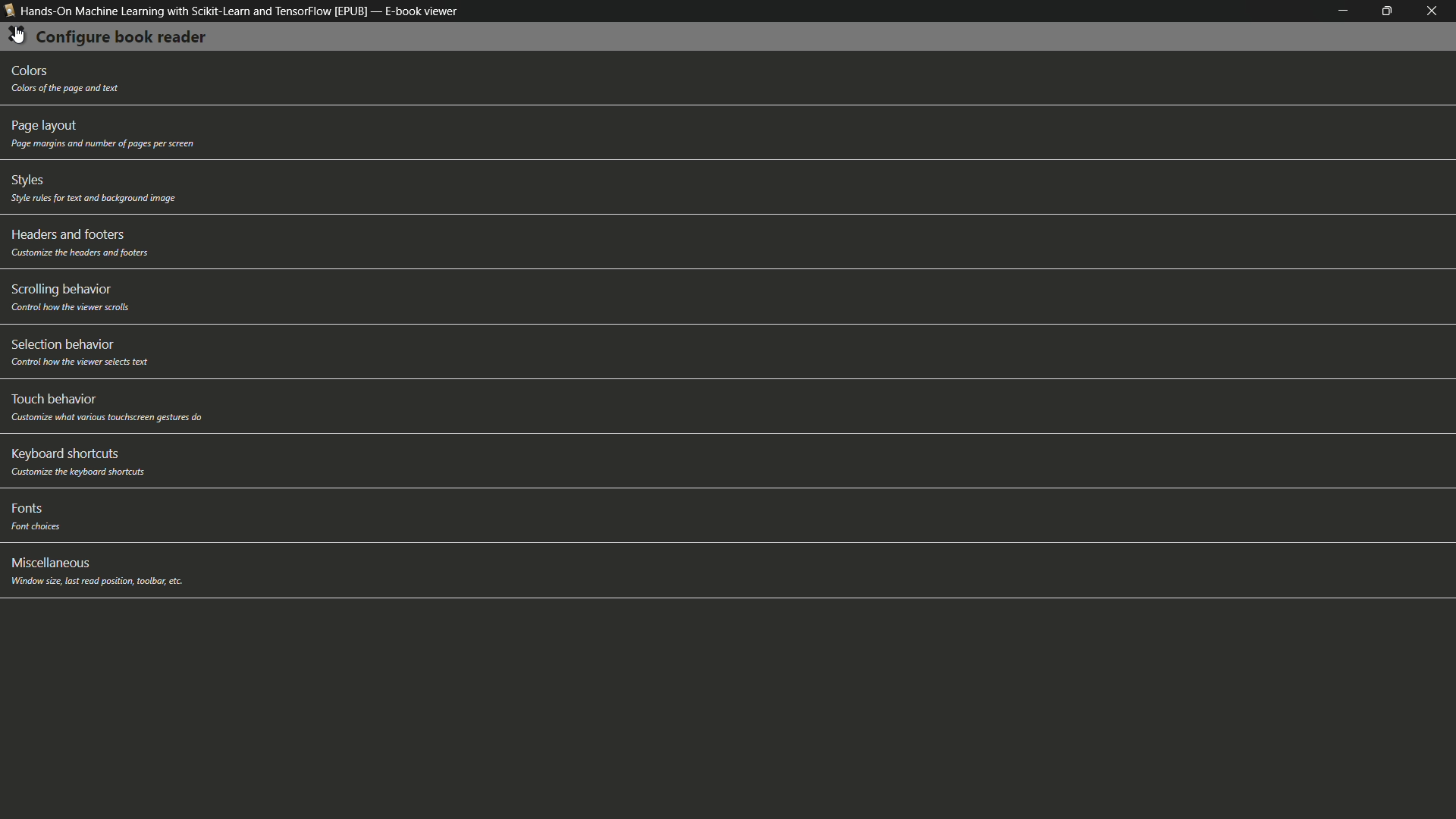 This screenshot has width=1456, height=819. Describe the element at coordinates (28, 180) in the screenshot. I see `styles` at that location.